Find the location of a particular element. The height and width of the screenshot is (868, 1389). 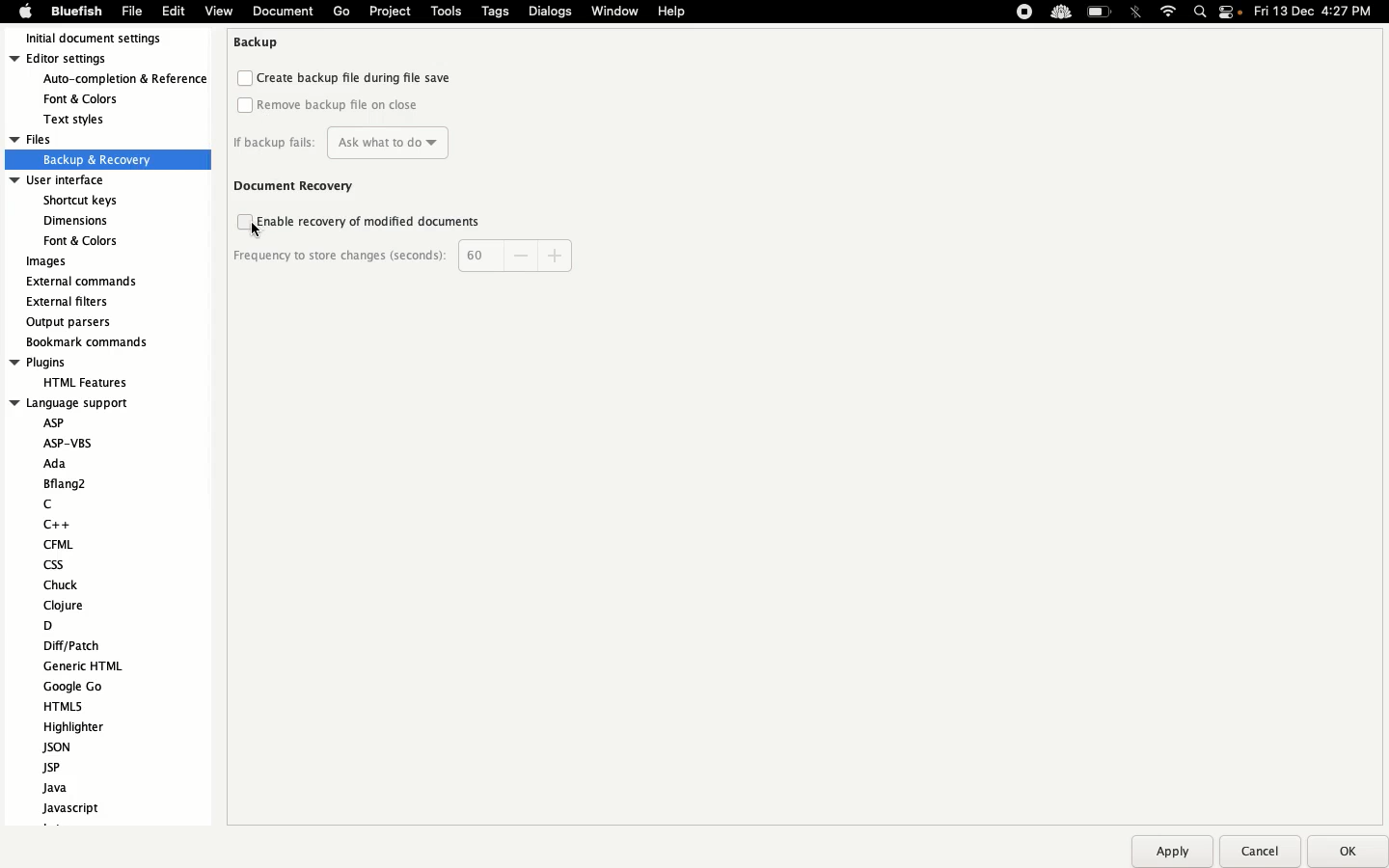

Frequency to story changes  is located at coordinates (400, 258).